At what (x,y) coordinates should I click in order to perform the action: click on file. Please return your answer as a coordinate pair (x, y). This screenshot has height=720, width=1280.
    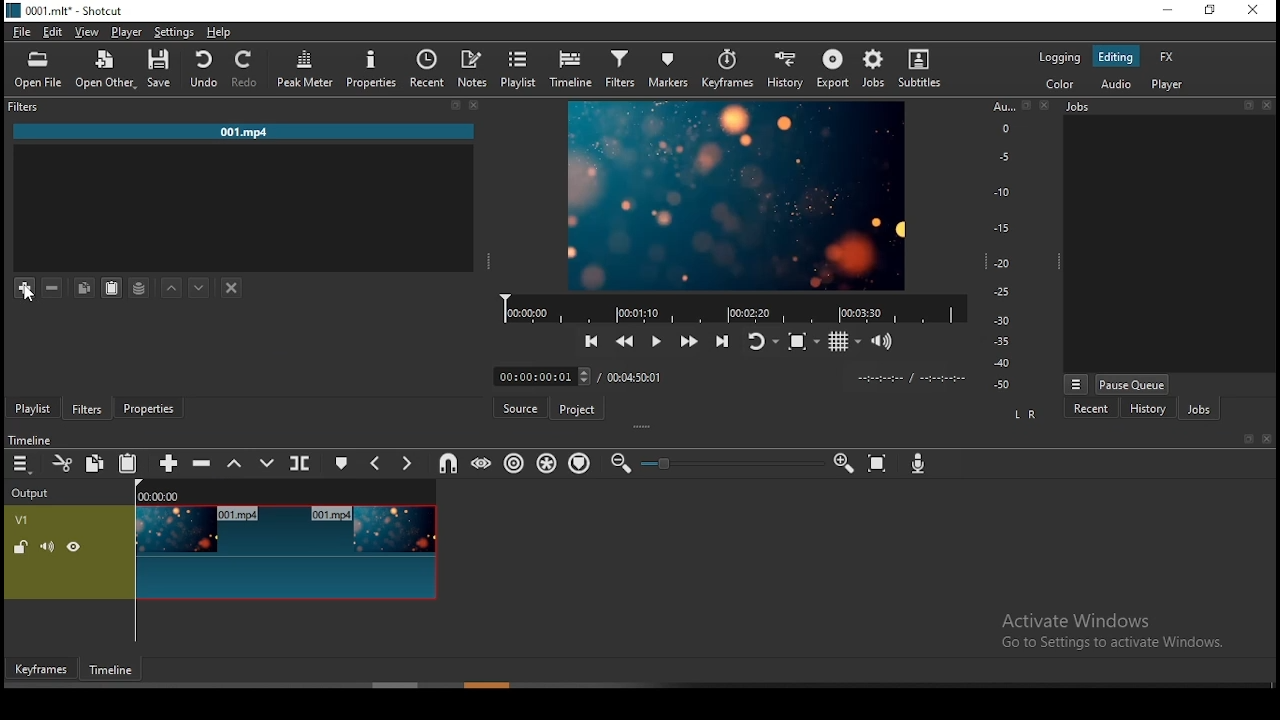
    Looking at the image, I should click on (20, 33).